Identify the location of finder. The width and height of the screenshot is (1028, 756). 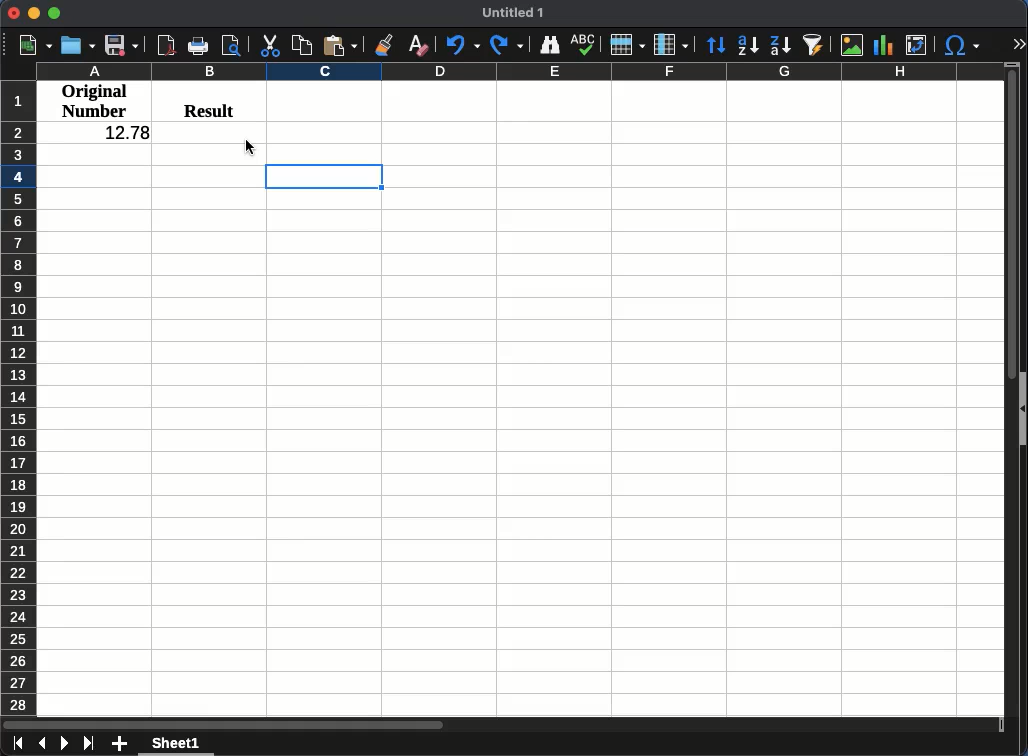
(550, 44).